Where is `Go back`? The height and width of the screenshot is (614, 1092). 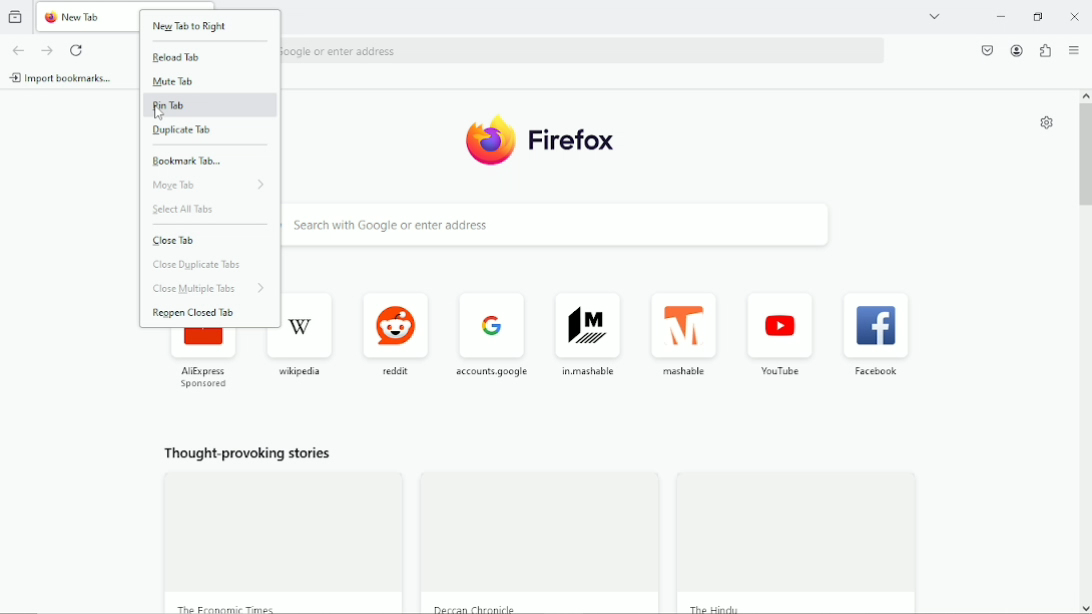 Go back is located at coordinates (18, 50).